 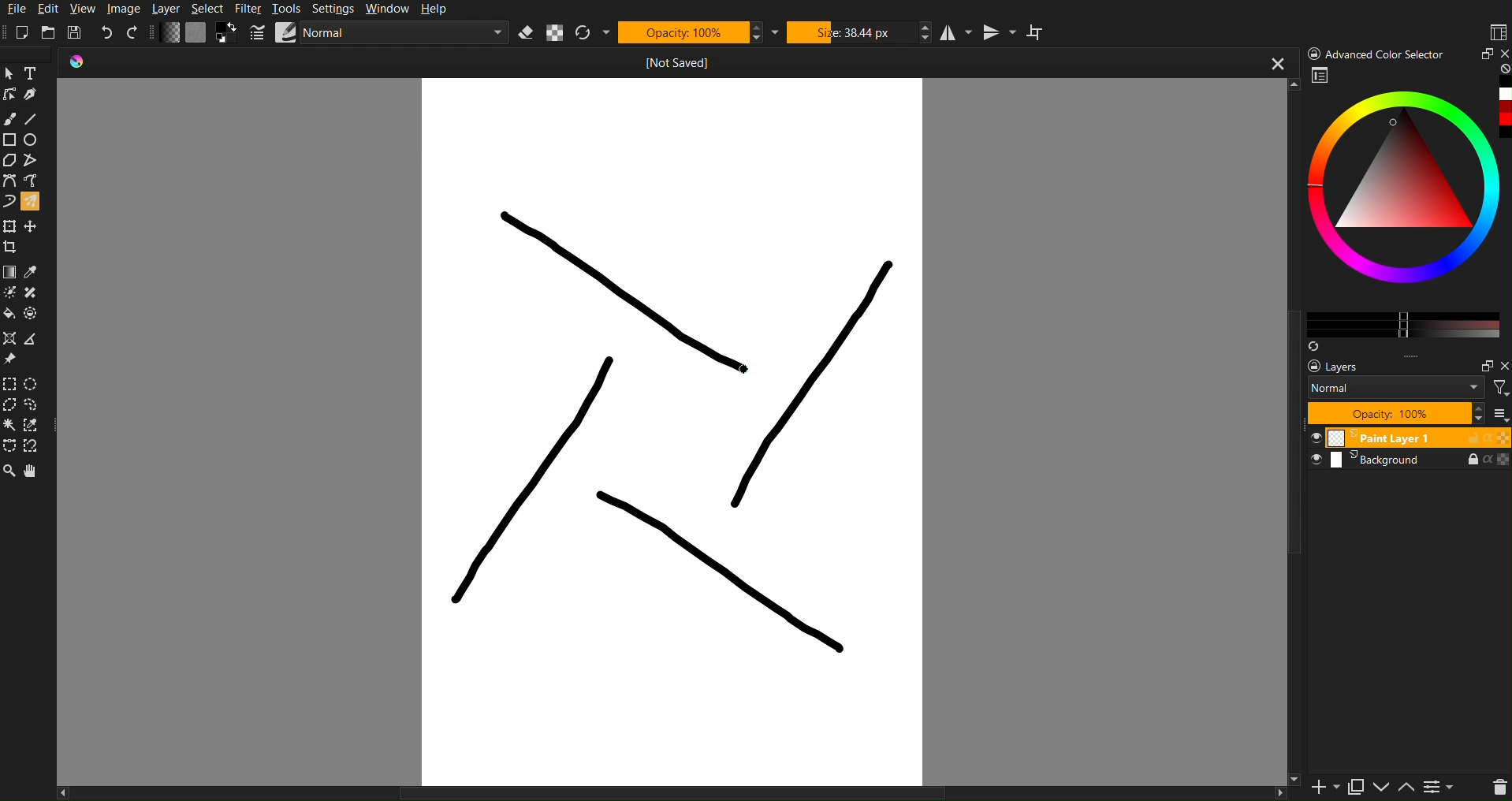 What do you see at coordinates (11, 119) in the screenshot?
I see `Brush` at bounding box center [11, 119].